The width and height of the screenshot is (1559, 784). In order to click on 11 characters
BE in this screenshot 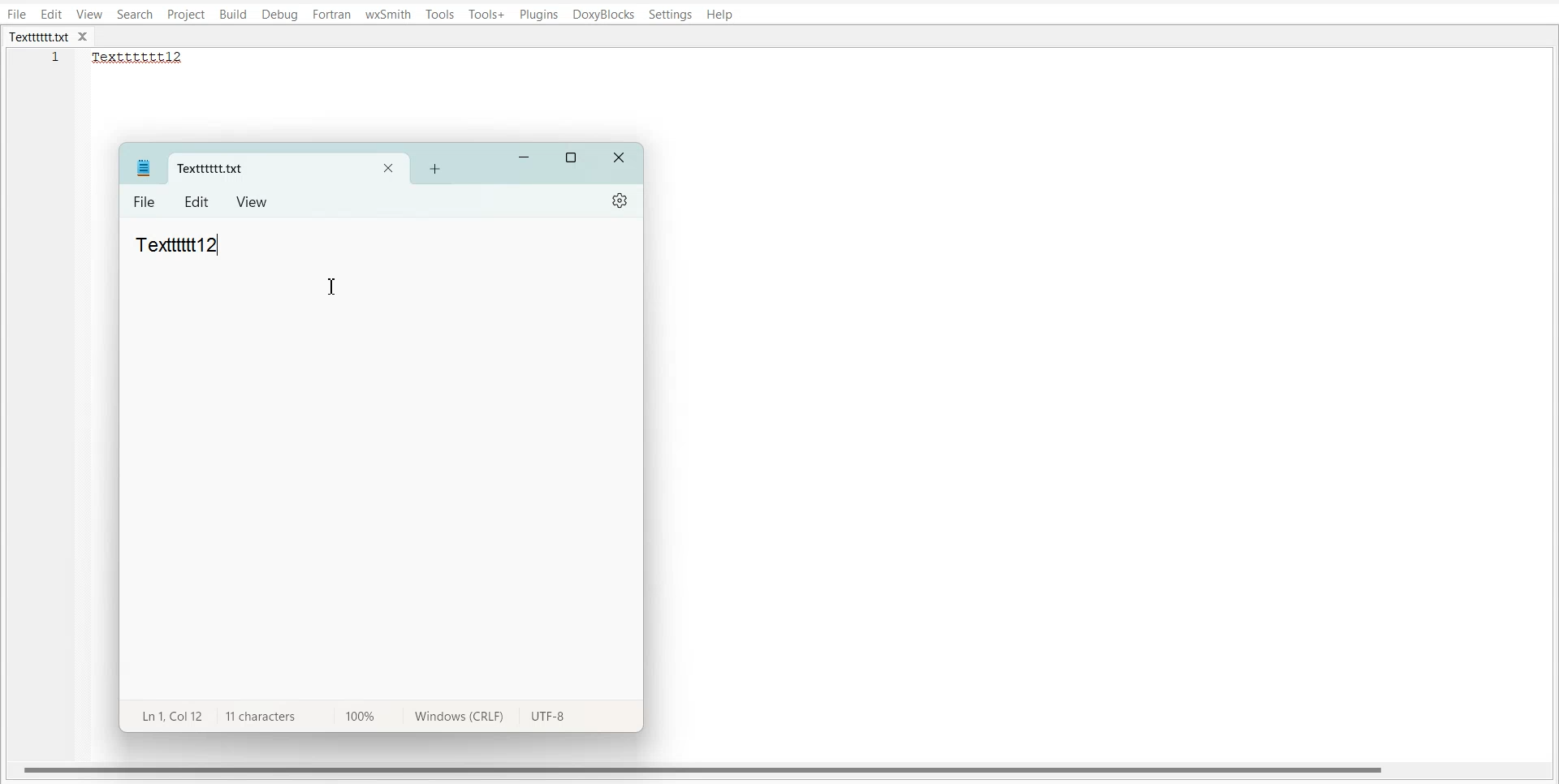, I will do `click(260, 717)`.